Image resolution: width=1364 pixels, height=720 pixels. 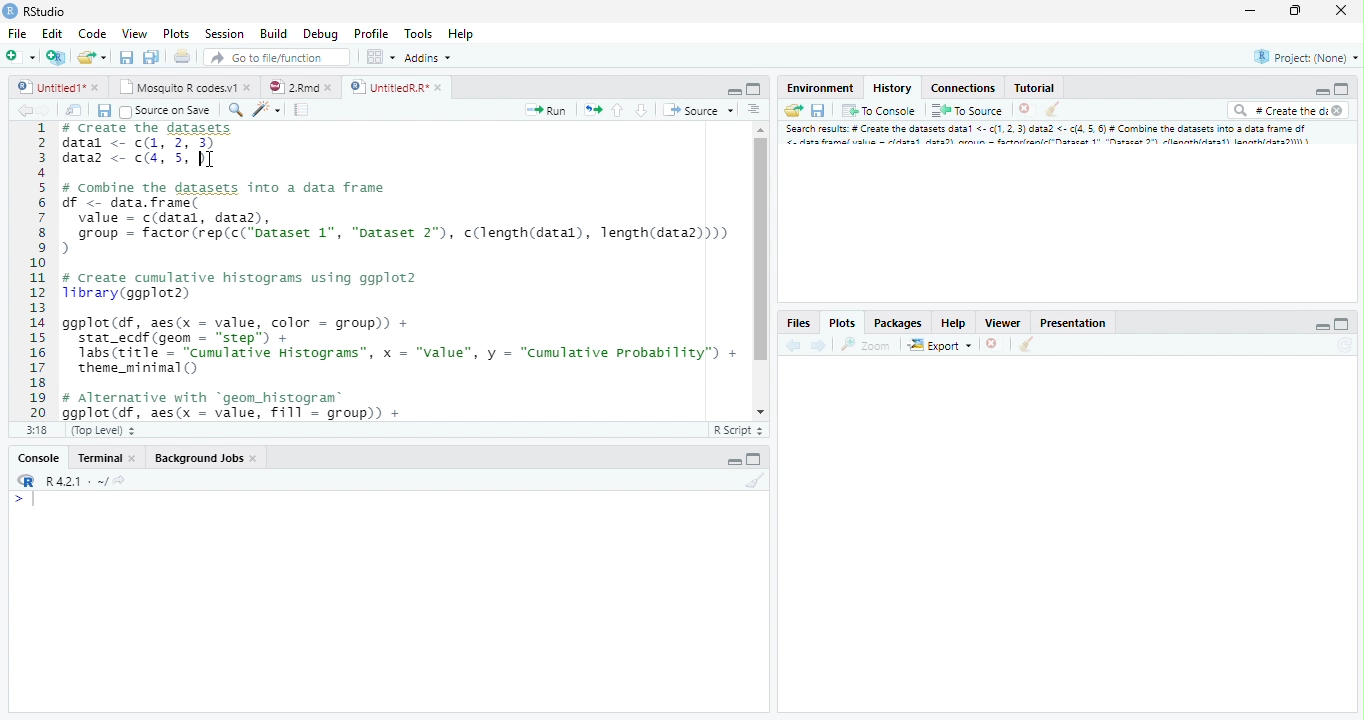 I want to click on To Source, so click(x=968, y=110).